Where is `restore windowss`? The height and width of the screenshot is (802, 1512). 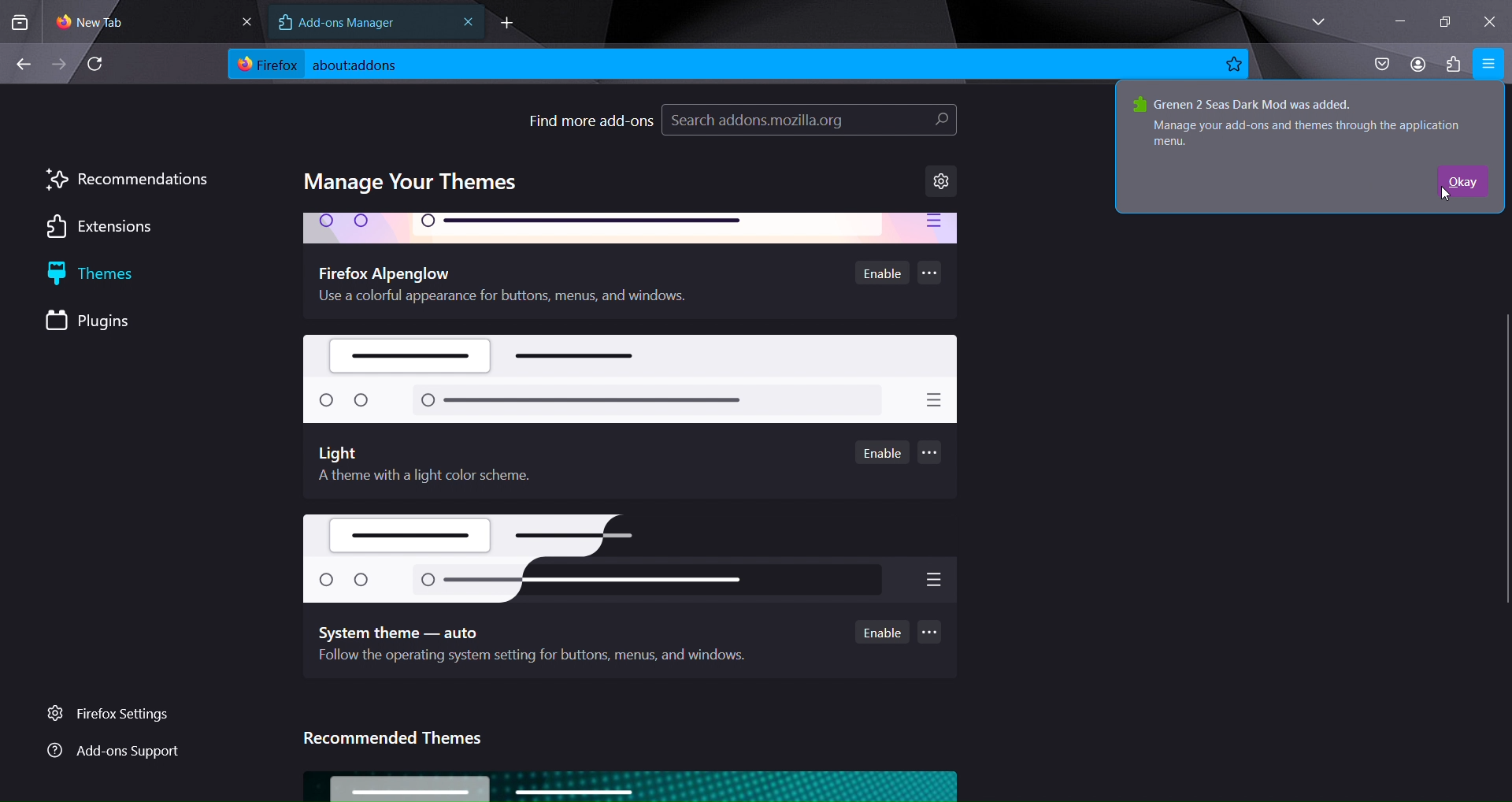 restore windowss is located at coordinates (1444, 20).